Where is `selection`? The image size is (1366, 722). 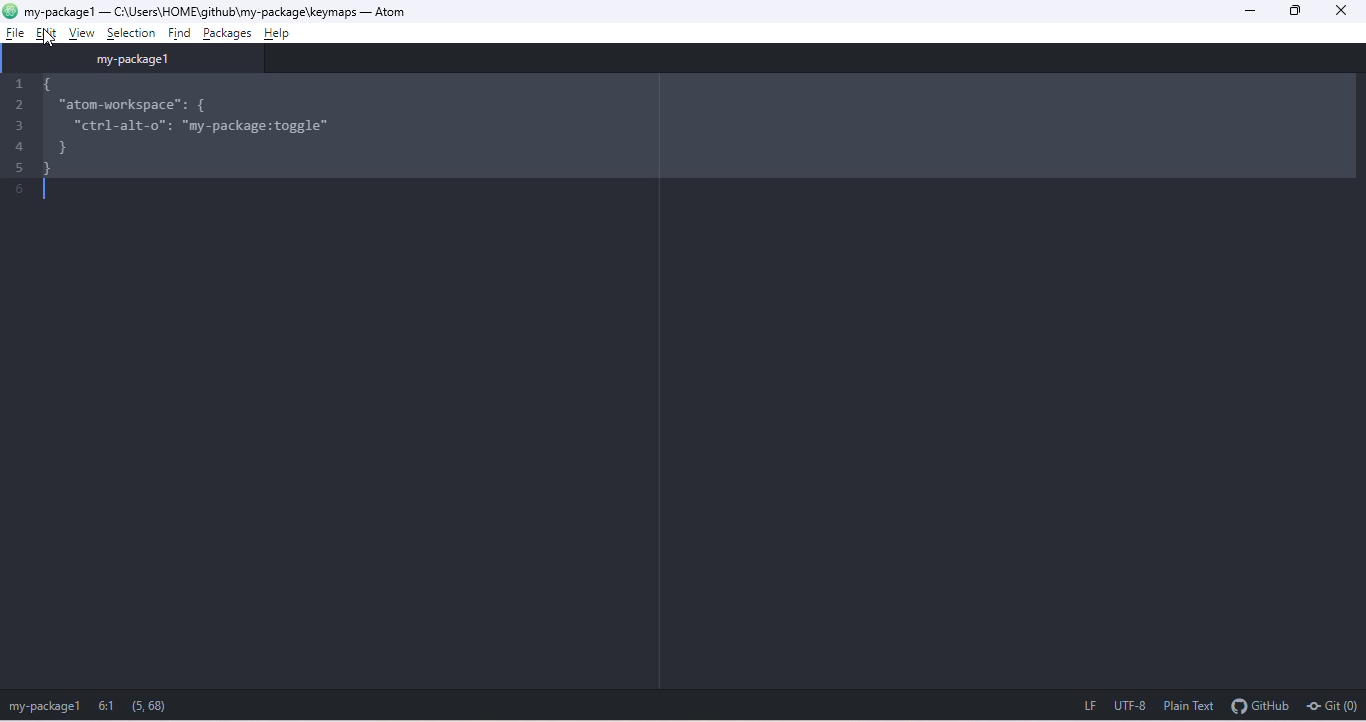
selection is located at coordinates (131, 31).